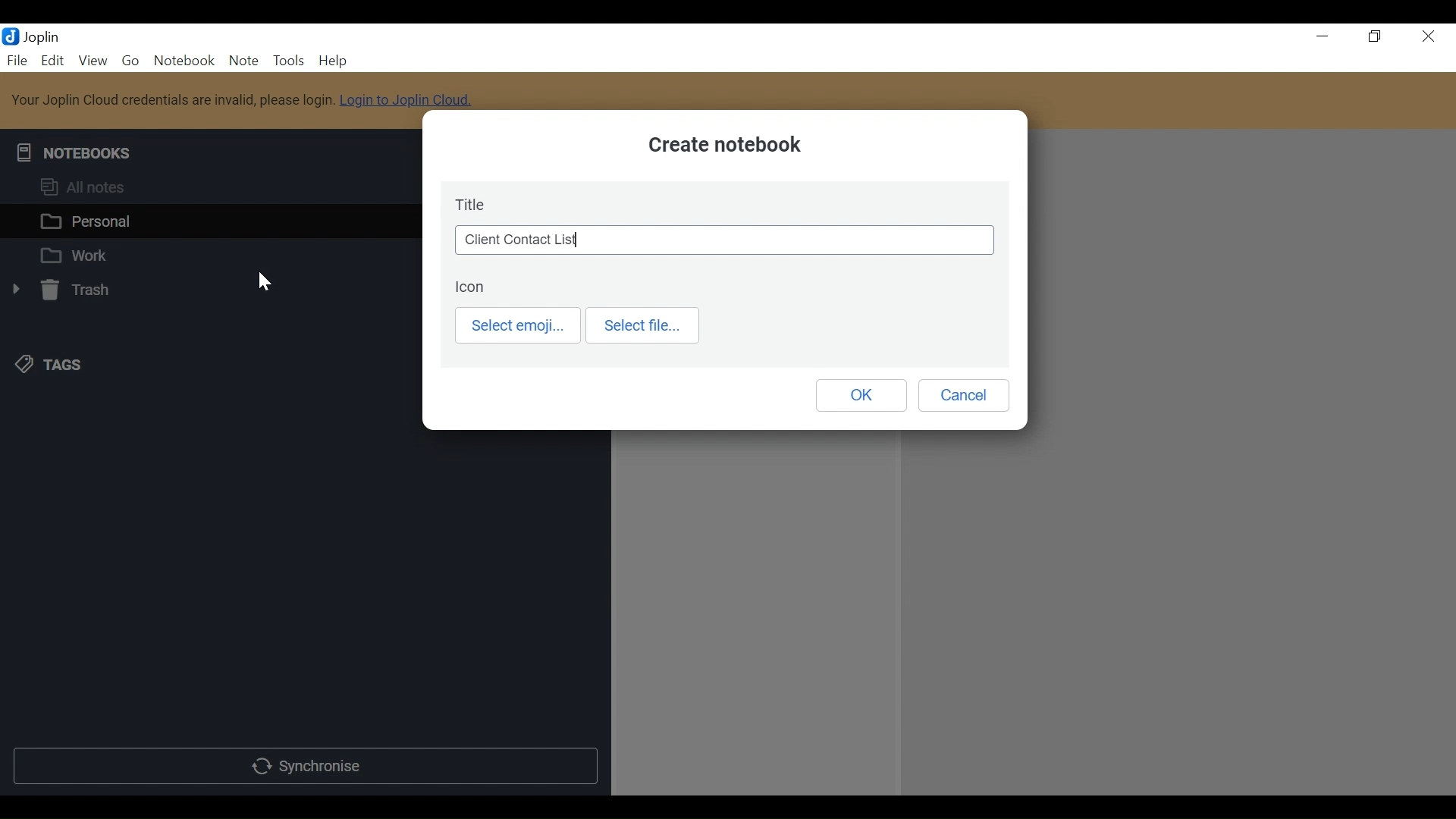 The image size is (1456, 819). Describe the element at coordinates (210, 190) in the screenshot. I see `All Notes` at that location.